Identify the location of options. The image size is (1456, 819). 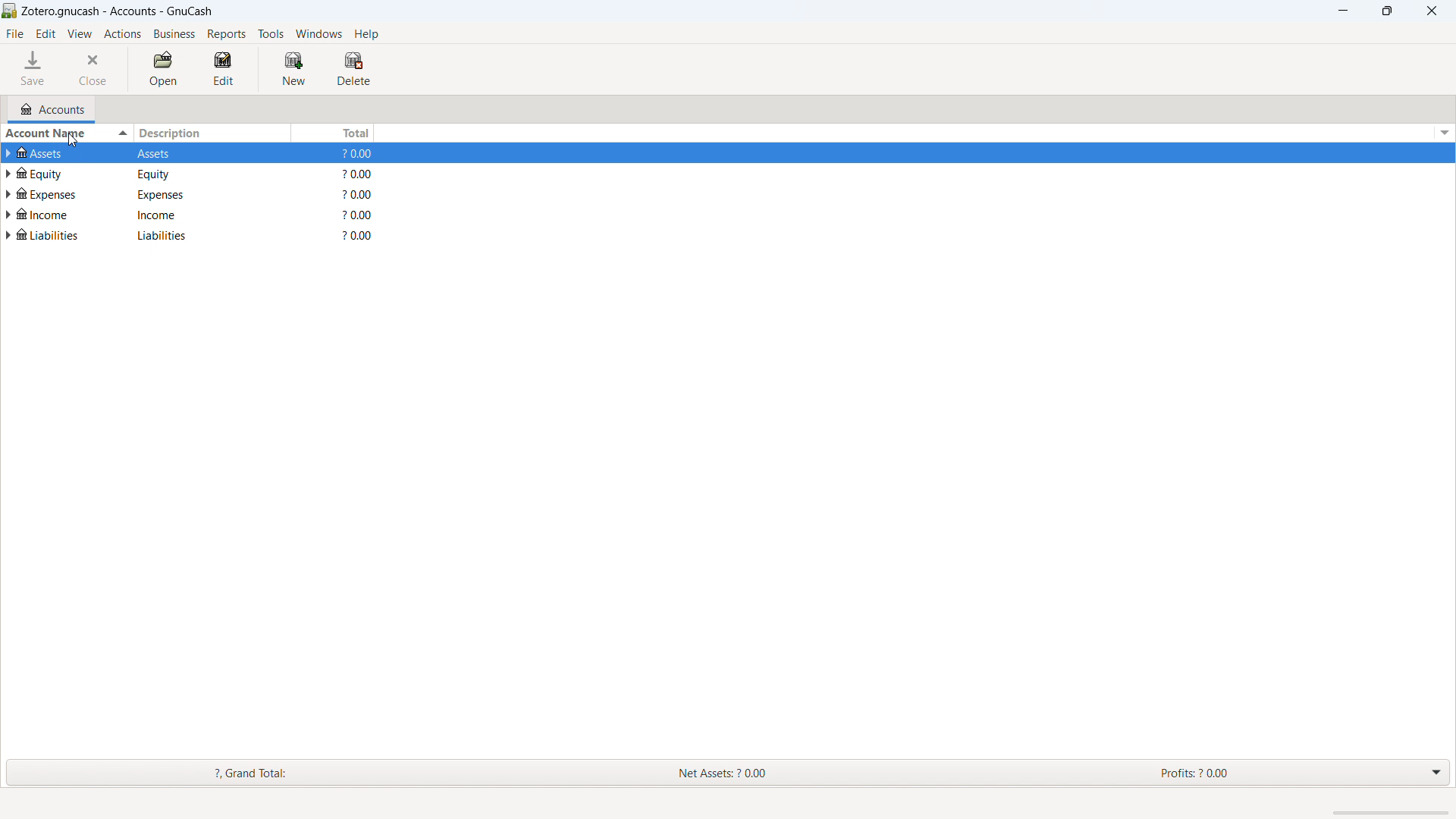
(1442, 773).